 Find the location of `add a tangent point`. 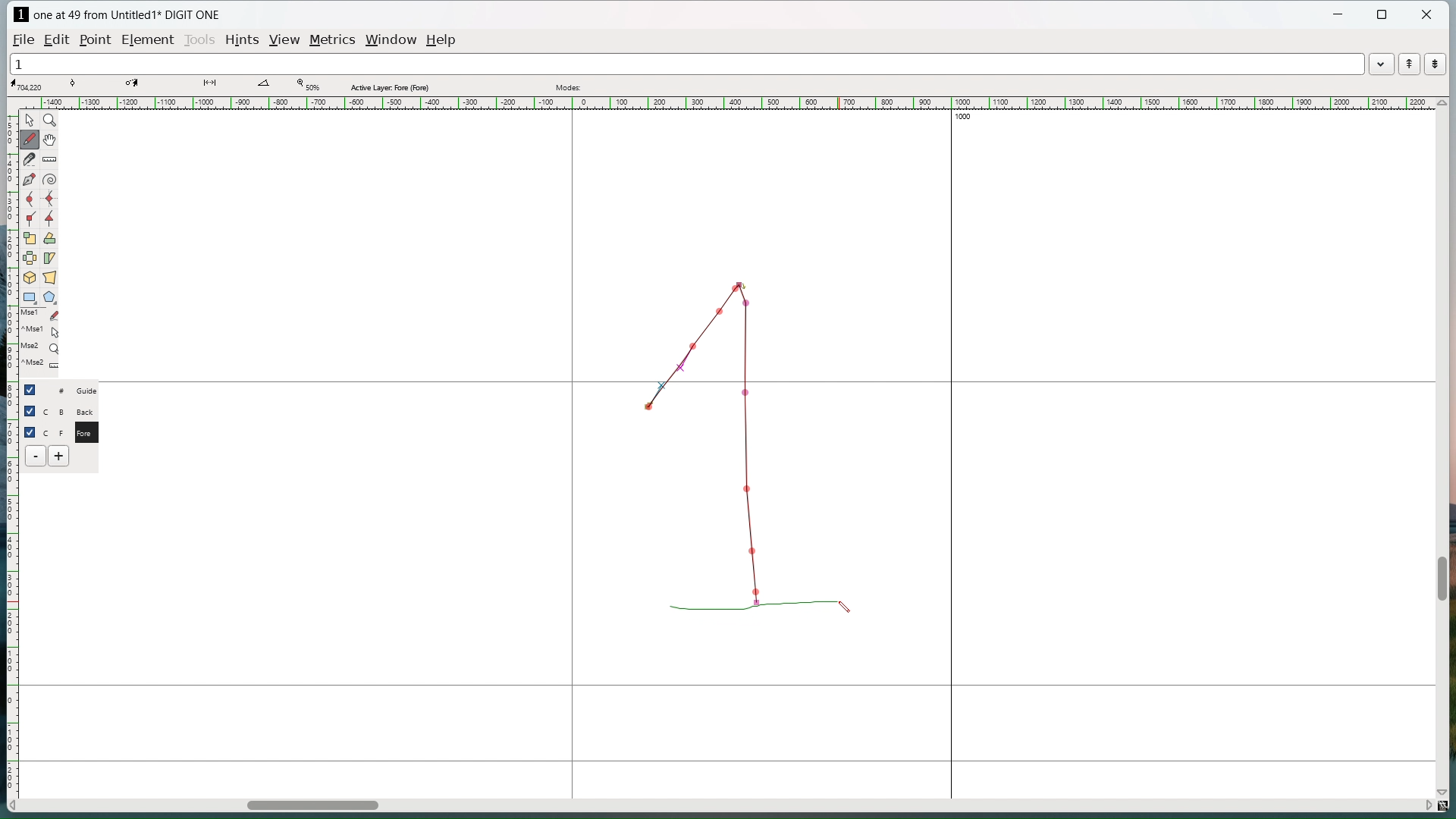

add a tangent point is located at coordinates (49, 218).